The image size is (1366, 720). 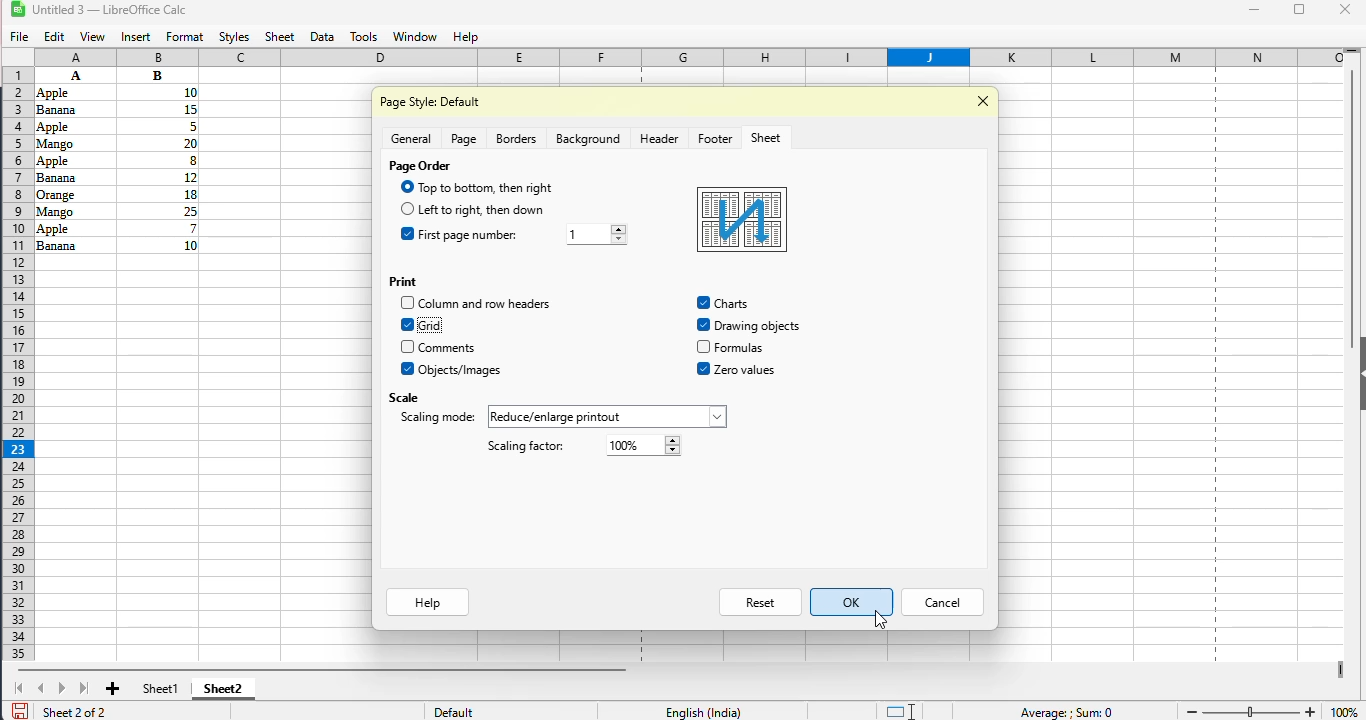 What do you see at coordinates (136, 38) in the screenshot?
I see `insert` at bounding box center [136, 38].